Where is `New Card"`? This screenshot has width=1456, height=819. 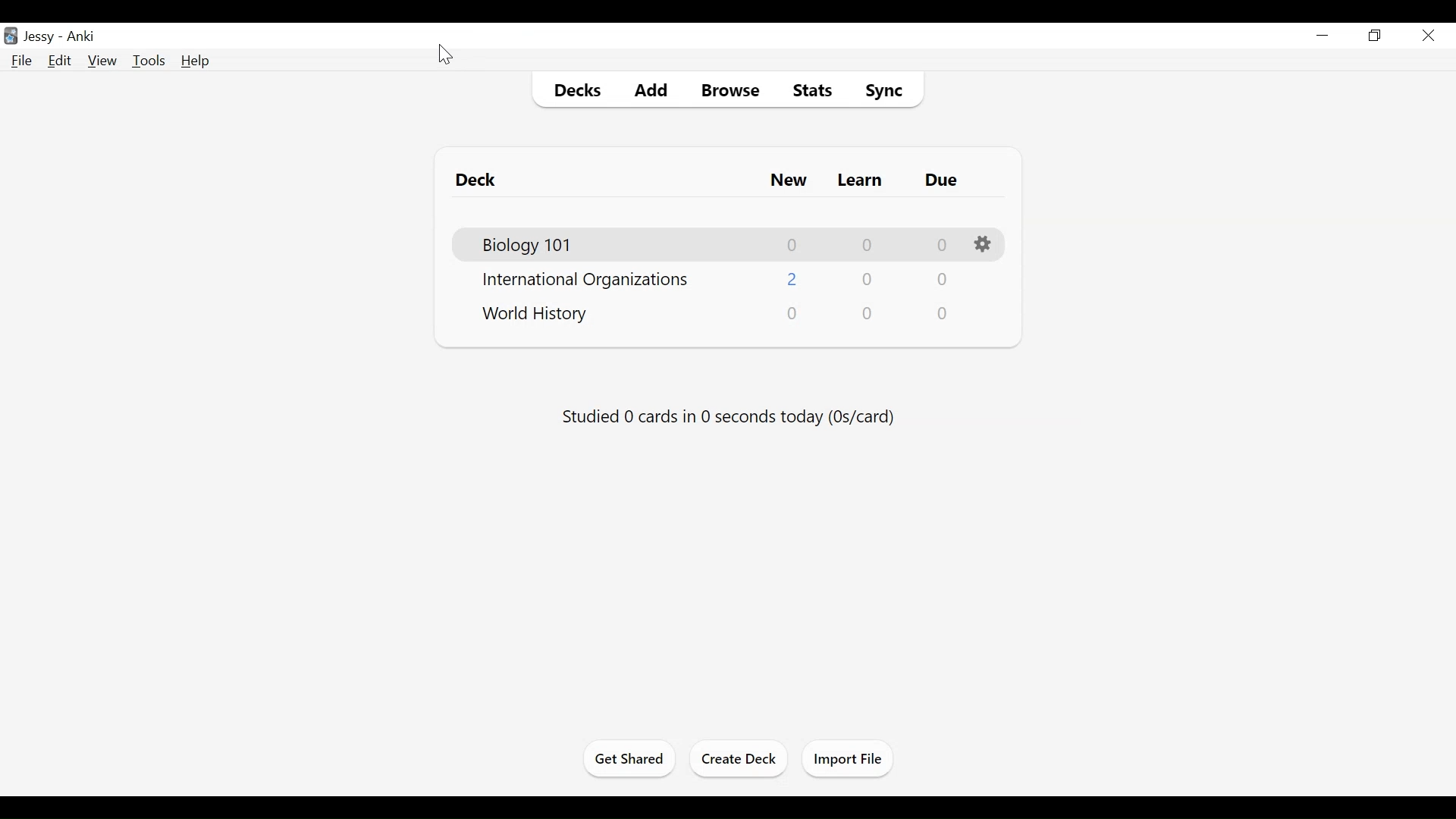
New Card" is located at coordinates (791, 313).